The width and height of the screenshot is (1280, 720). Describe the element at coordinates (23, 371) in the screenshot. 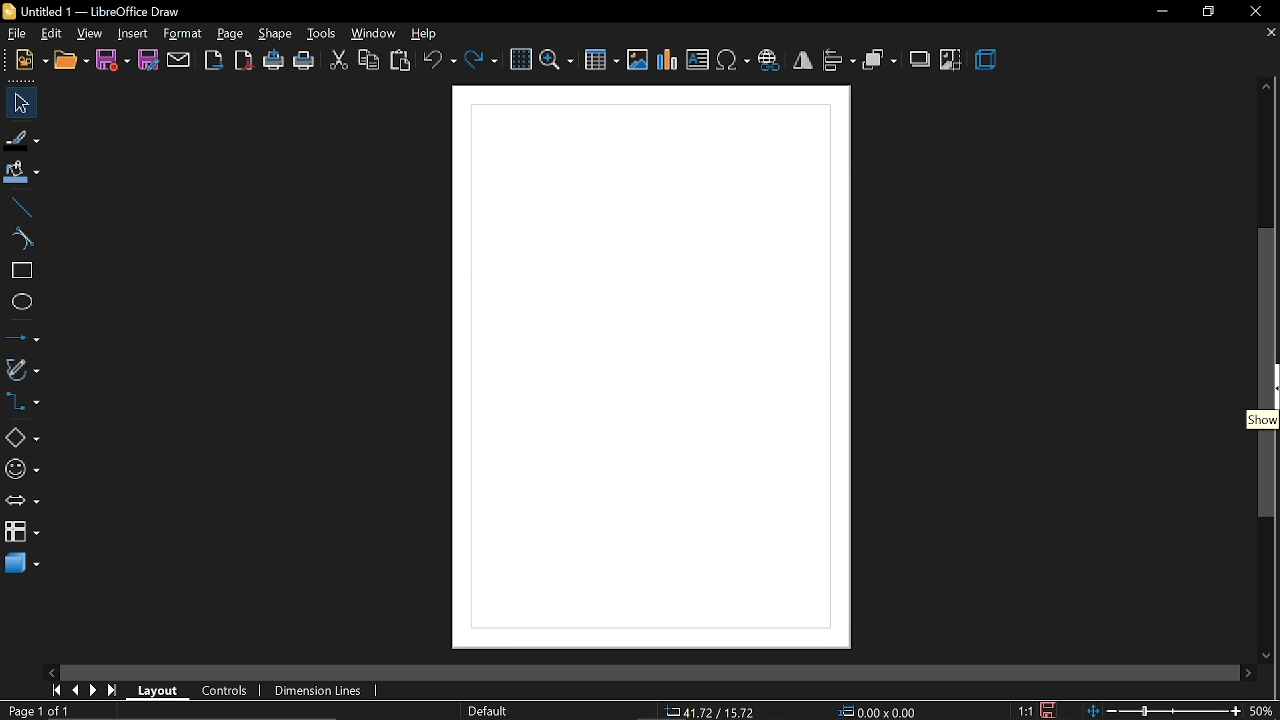

I see `curves and polygons` at that location.